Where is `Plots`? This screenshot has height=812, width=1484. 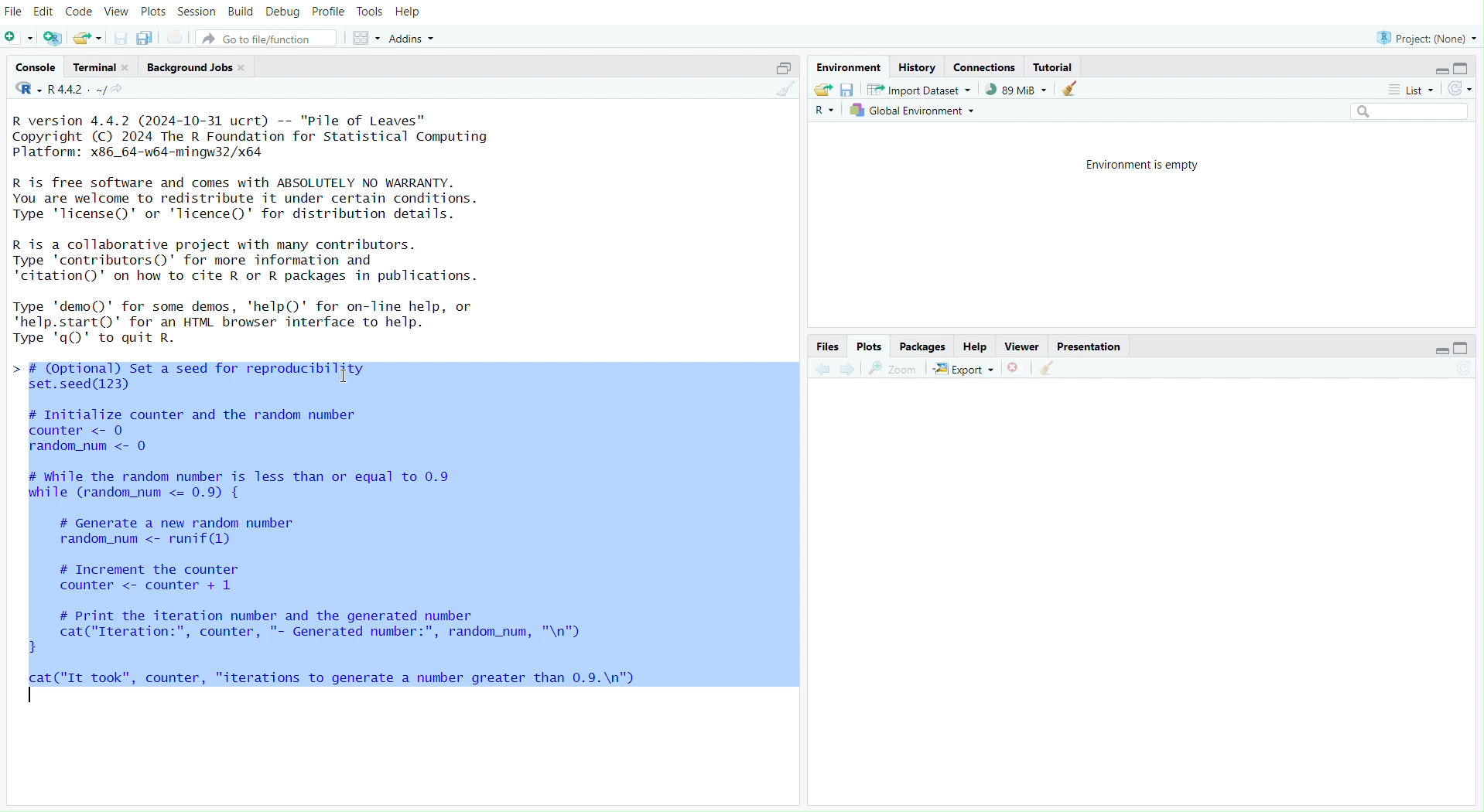 Plots is located at coordinates (871, 344).